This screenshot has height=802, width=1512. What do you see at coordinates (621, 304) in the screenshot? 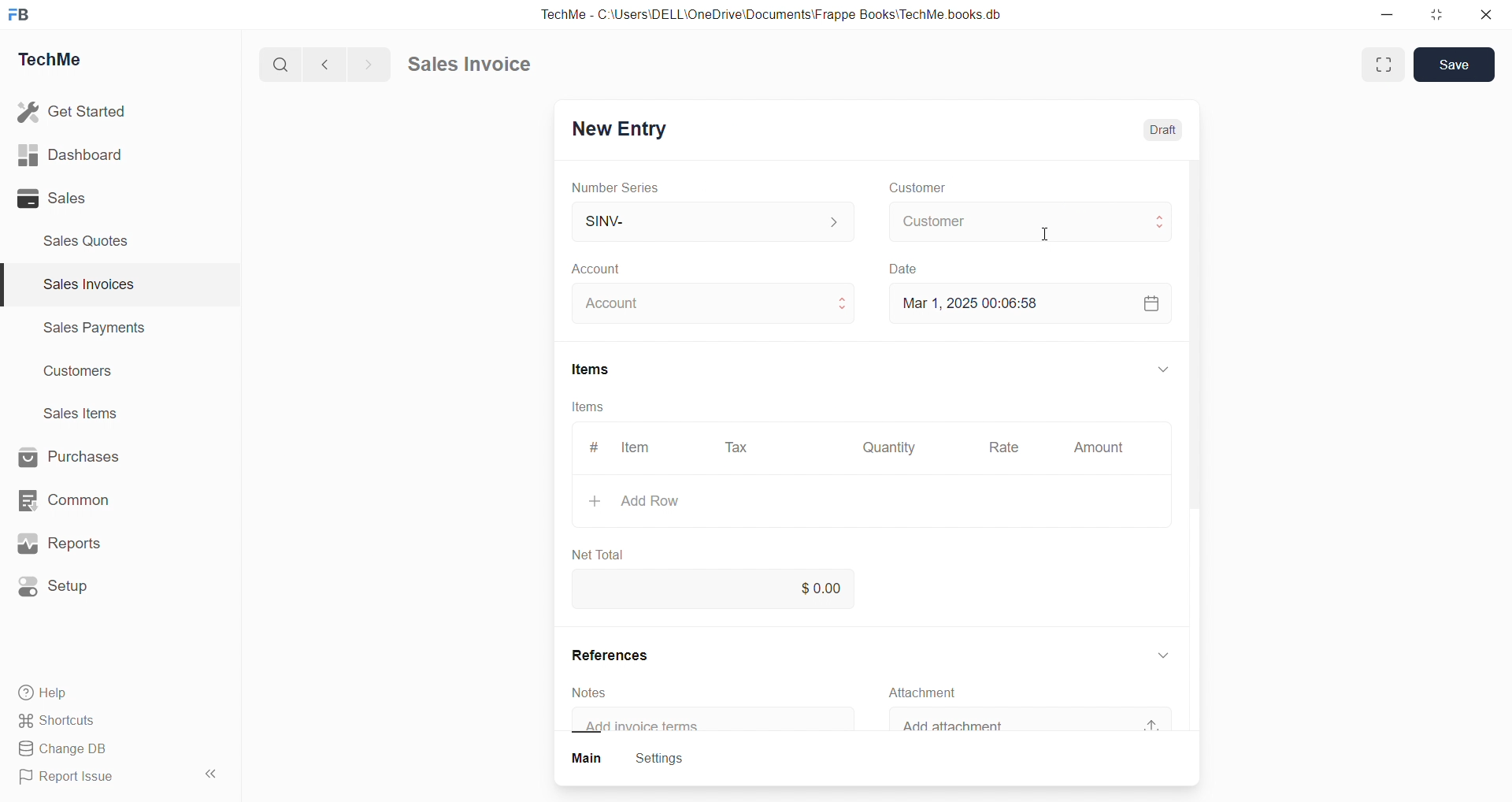
I see `Account` at bounding box center [621, 304].